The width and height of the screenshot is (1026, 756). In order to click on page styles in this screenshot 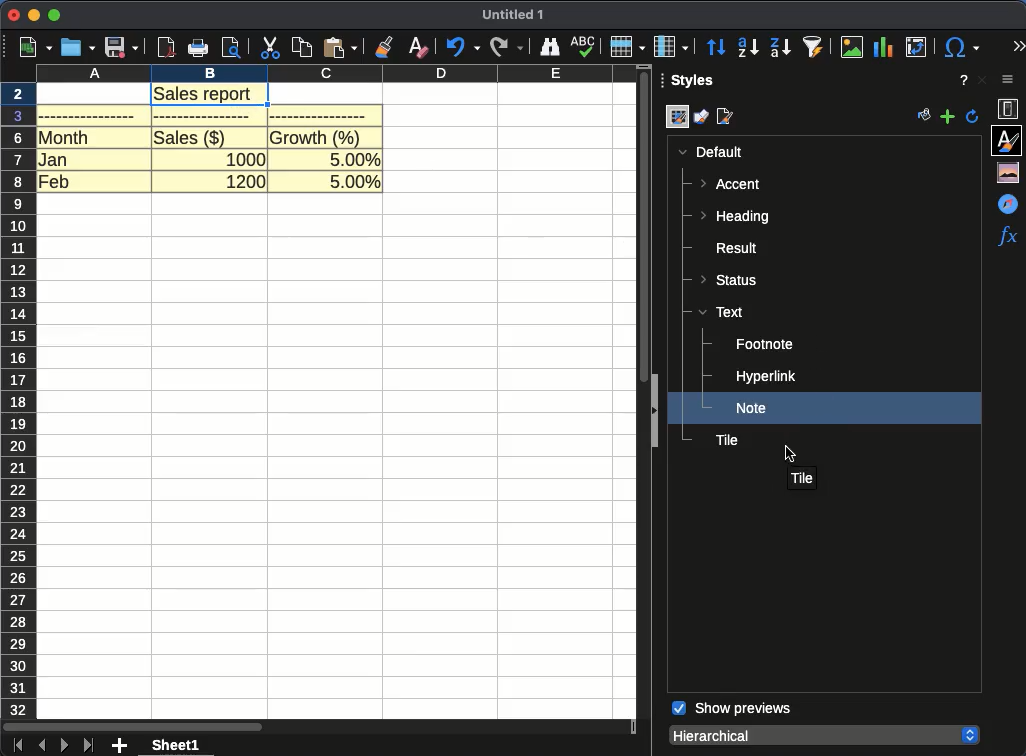, I will do `click(728, 117)`.